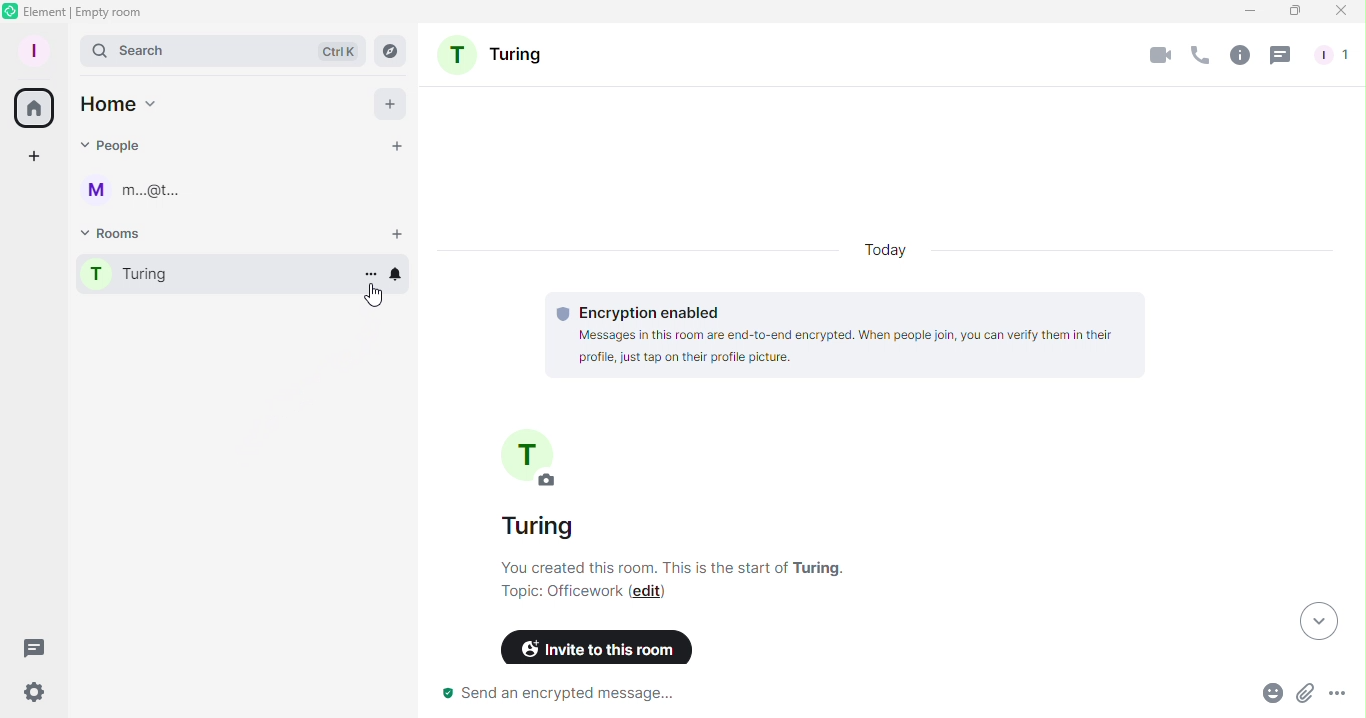 The width and height of the screenshot is (1366, 718). Describe the element at coordinates (674, 567) in the screenshot. I see `Room information` at that location.